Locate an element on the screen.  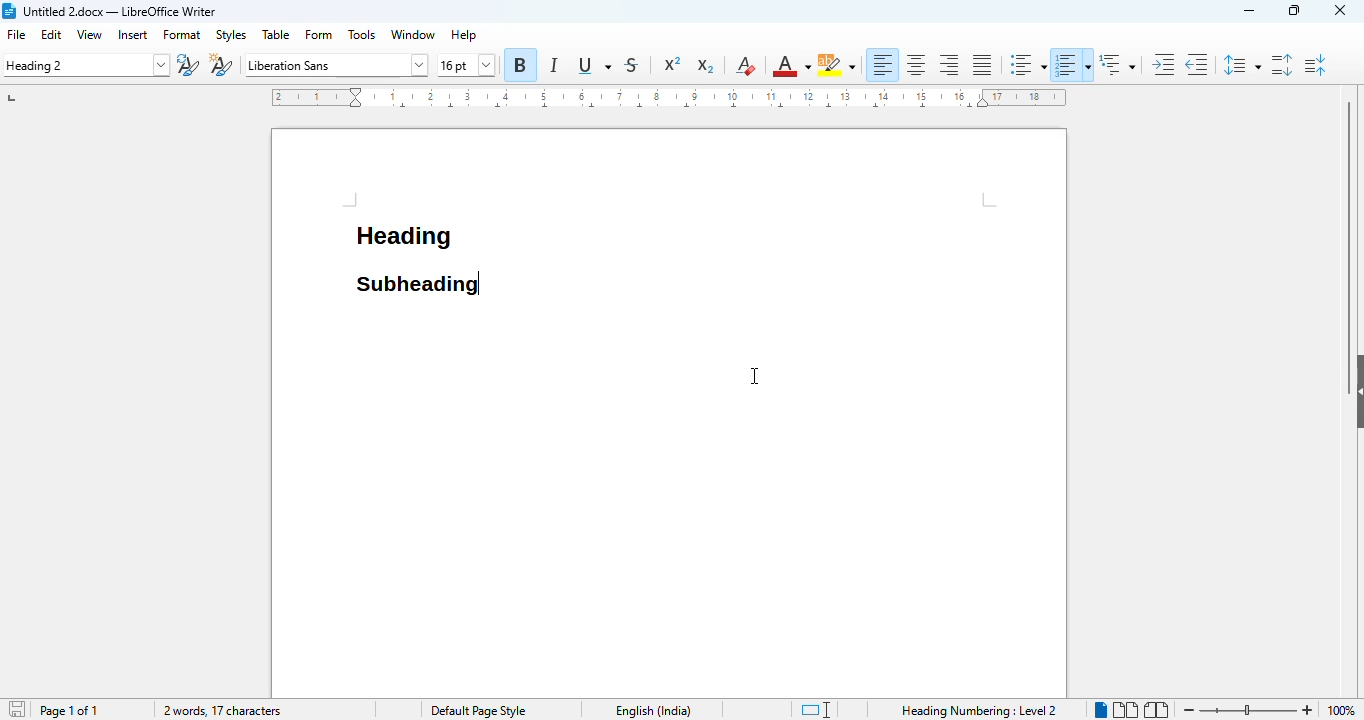
superscript is located at coordinates (673, 64).